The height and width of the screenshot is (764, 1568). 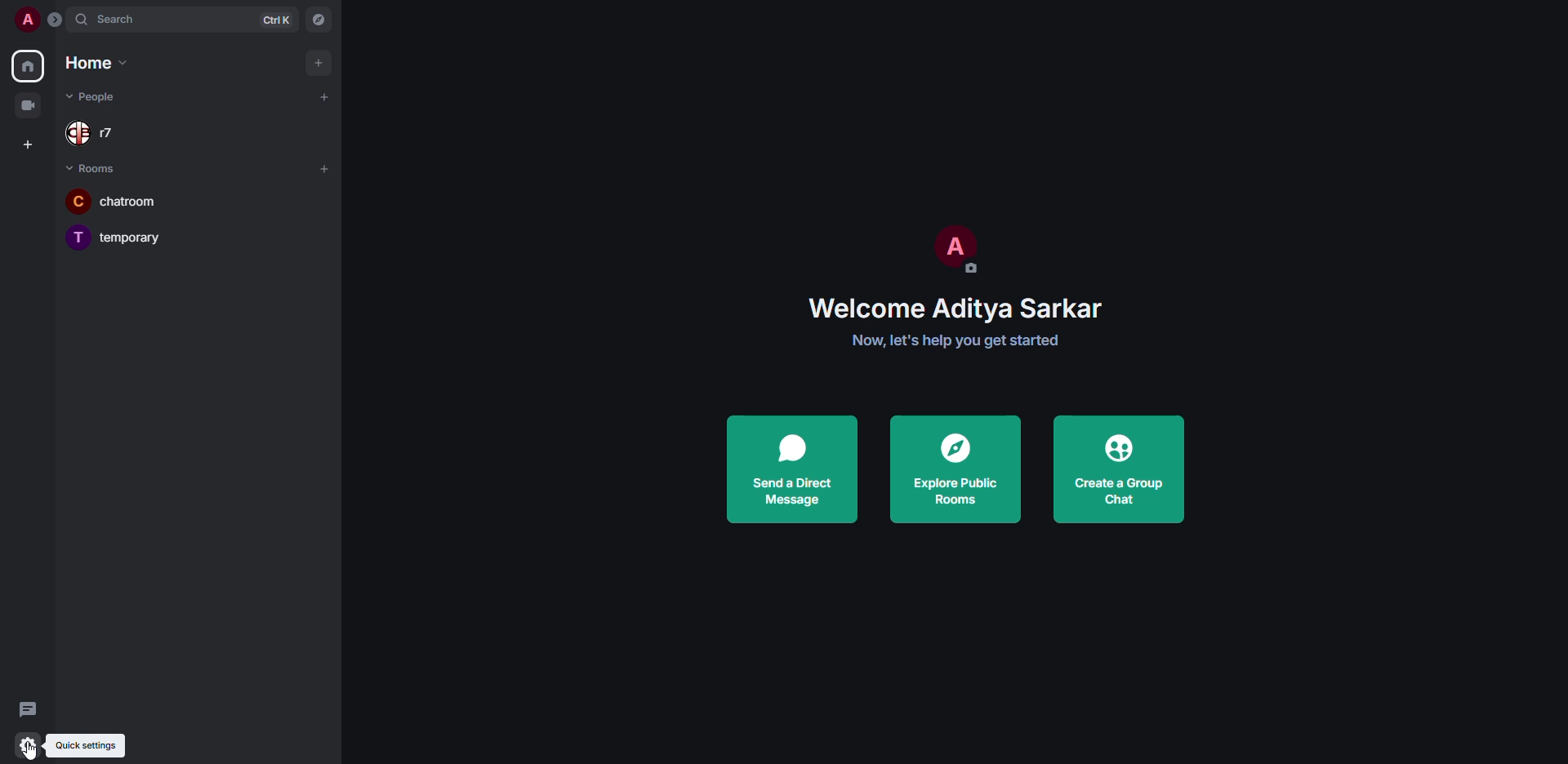 I want to click on profile, so click(x=29, y=20).